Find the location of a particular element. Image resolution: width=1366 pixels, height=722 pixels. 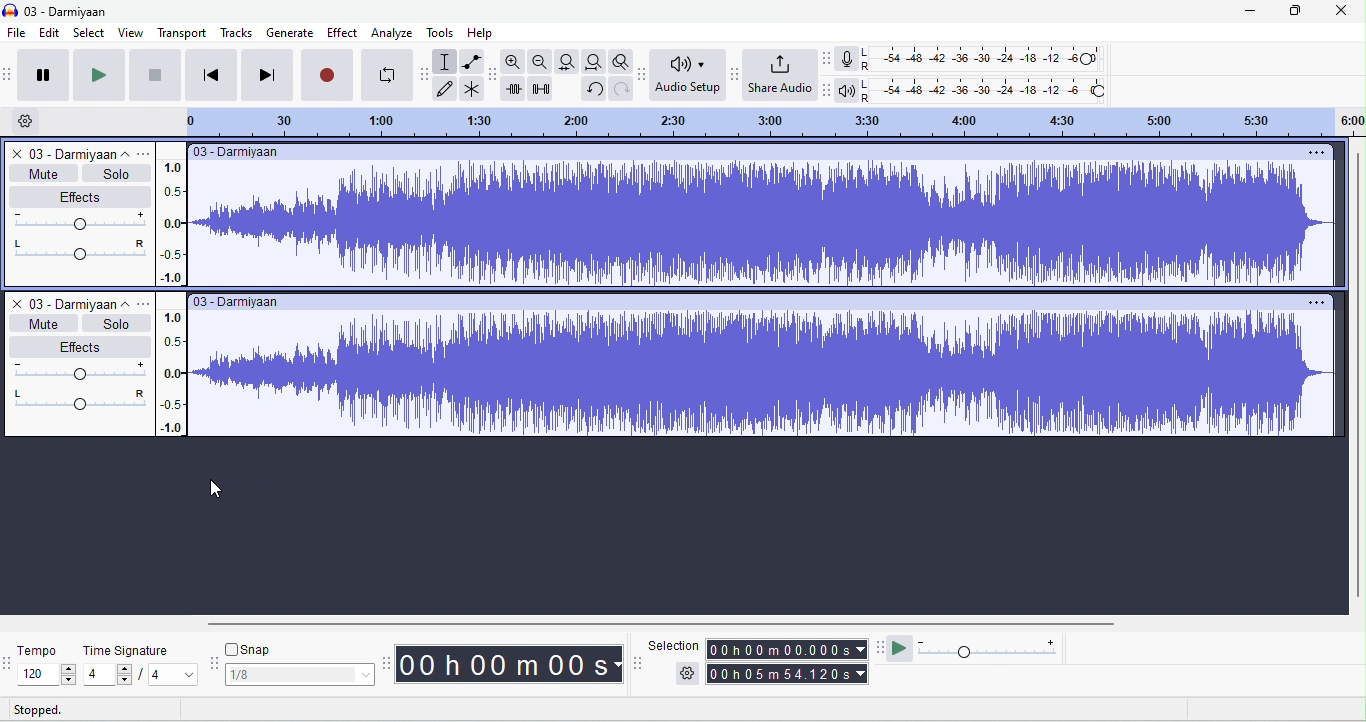

volume is located at coordinates (77, 223).